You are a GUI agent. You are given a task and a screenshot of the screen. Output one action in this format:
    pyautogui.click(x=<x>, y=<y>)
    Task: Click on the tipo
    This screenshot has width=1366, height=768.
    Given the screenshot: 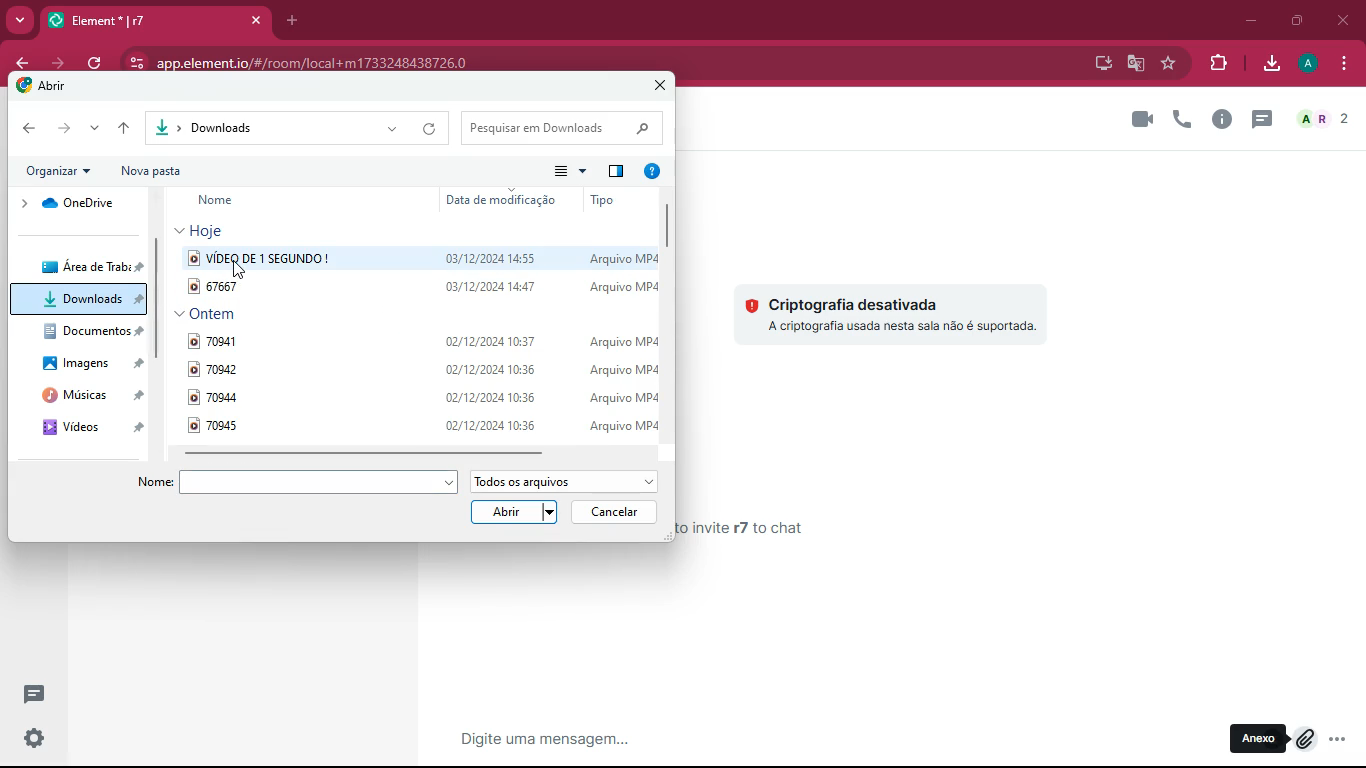 What is the action you would take?
    pyautogui.click(x=609, y=202)
    